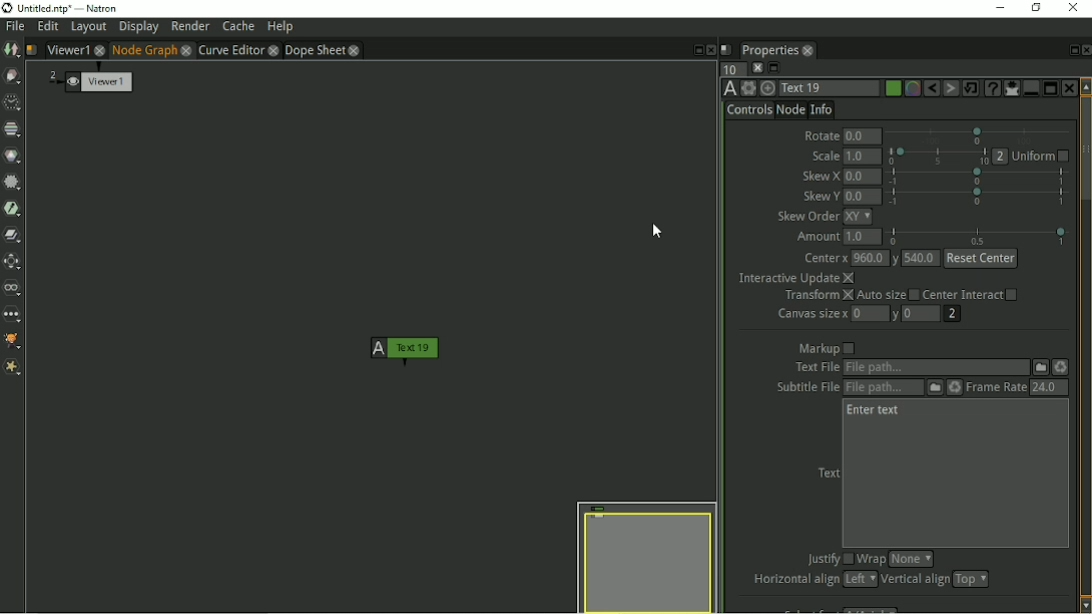  Describe the element at coordinates (238, 26) in the screenshot. I see `Cache` at that location.